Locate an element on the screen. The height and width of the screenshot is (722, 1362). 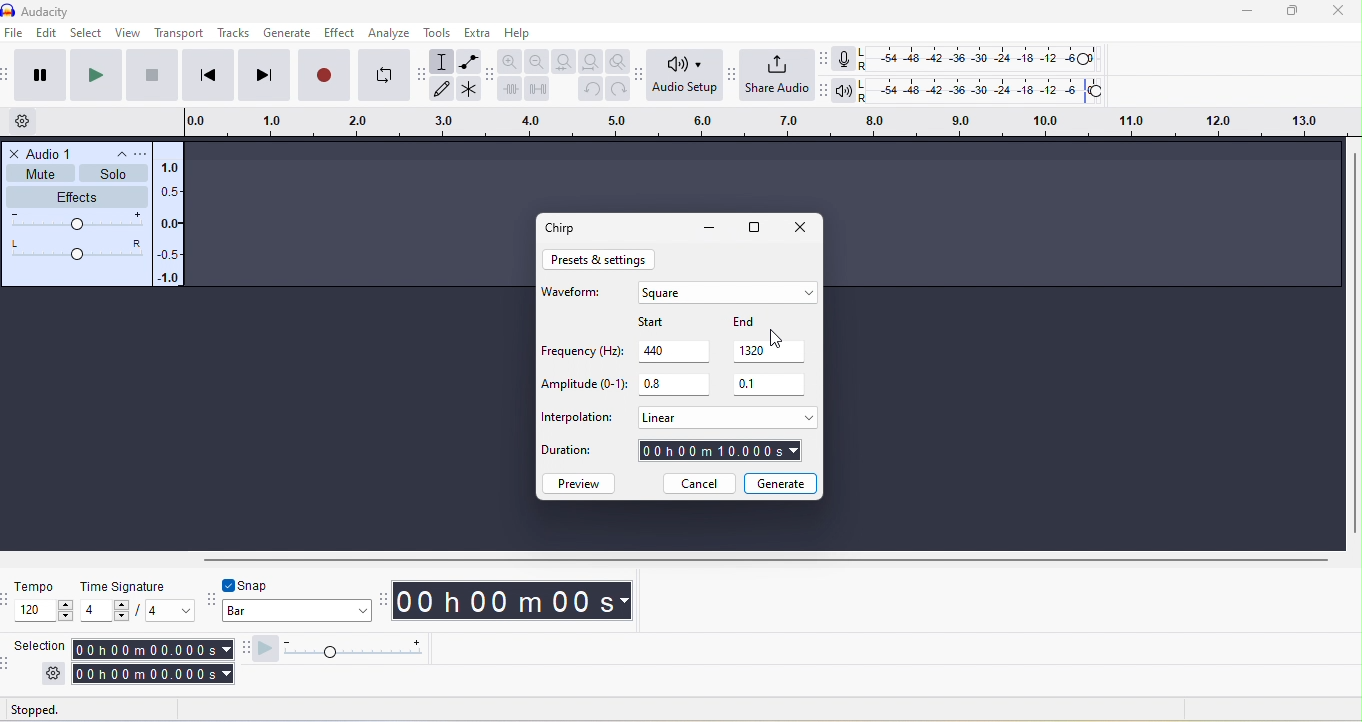
generate is located at coordinates (781, 482).